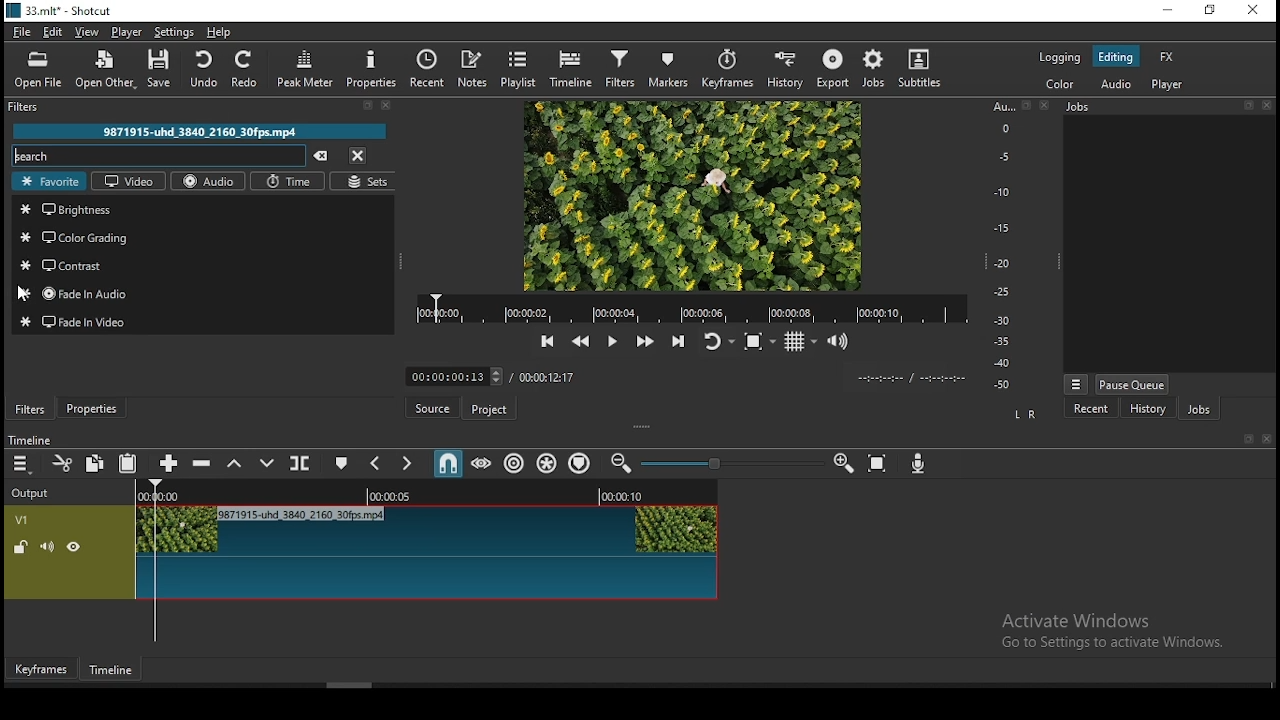  What do you see at coordinates (1166, 55) in the screenshot?
I see `fx` at bounding box center [1166, 55].